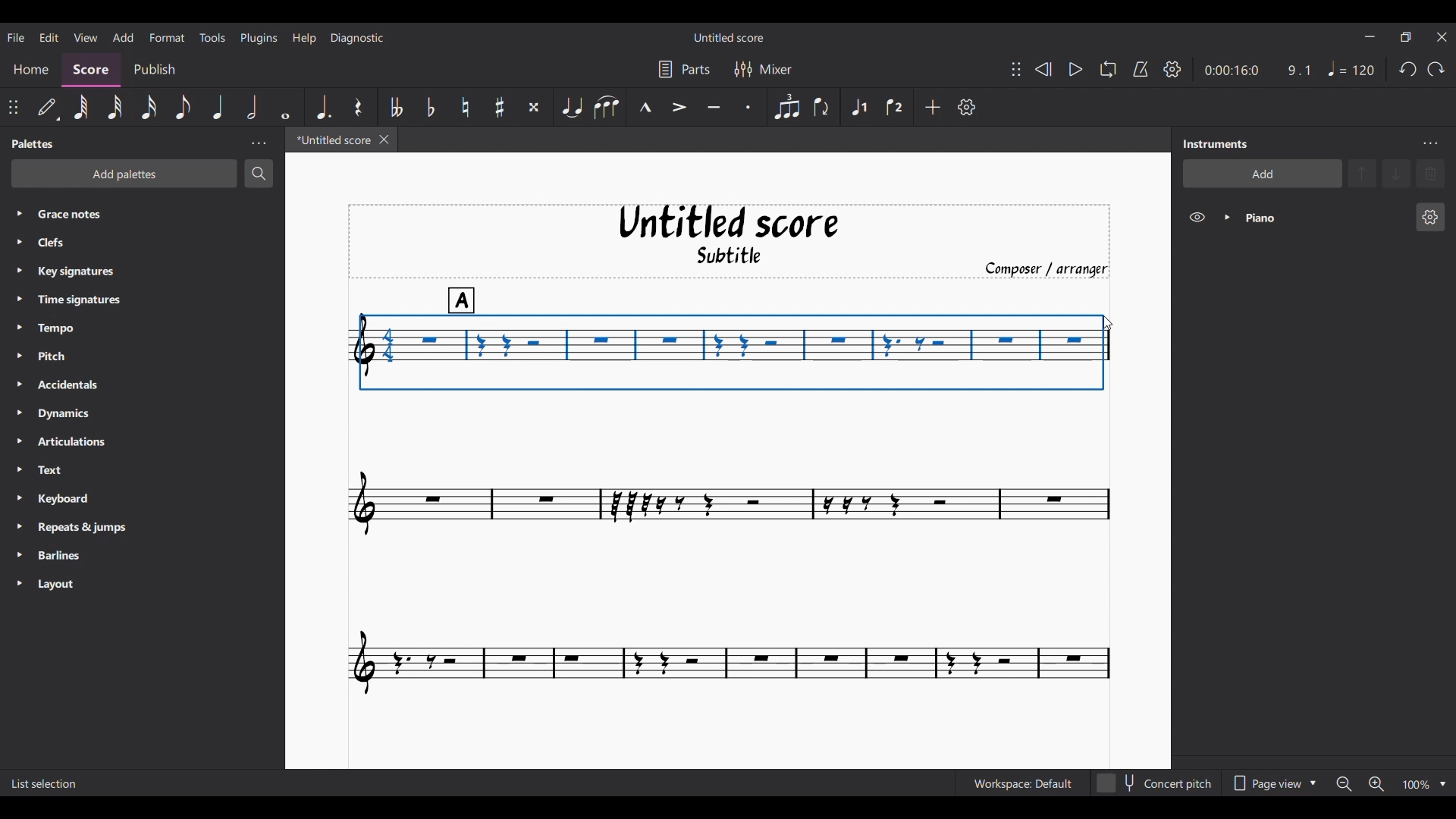 This screenshot has height=819, width=1456. Describe the element at coordinates (358, 107) in the screenshot. I see `Rest` at that location.